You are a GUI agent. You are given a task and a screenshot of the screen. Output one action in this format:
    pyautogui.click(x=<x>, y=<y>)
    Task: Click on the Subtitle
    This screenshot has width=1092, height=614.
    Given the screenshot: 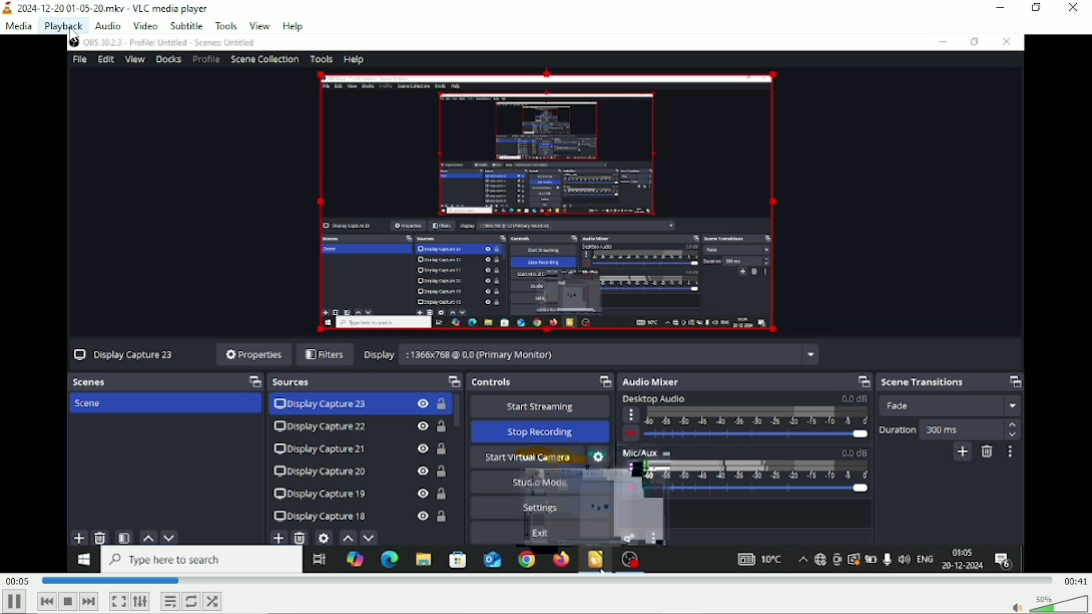 What is the action you would take?
    pyautogui.click(x=188, y=26)
    